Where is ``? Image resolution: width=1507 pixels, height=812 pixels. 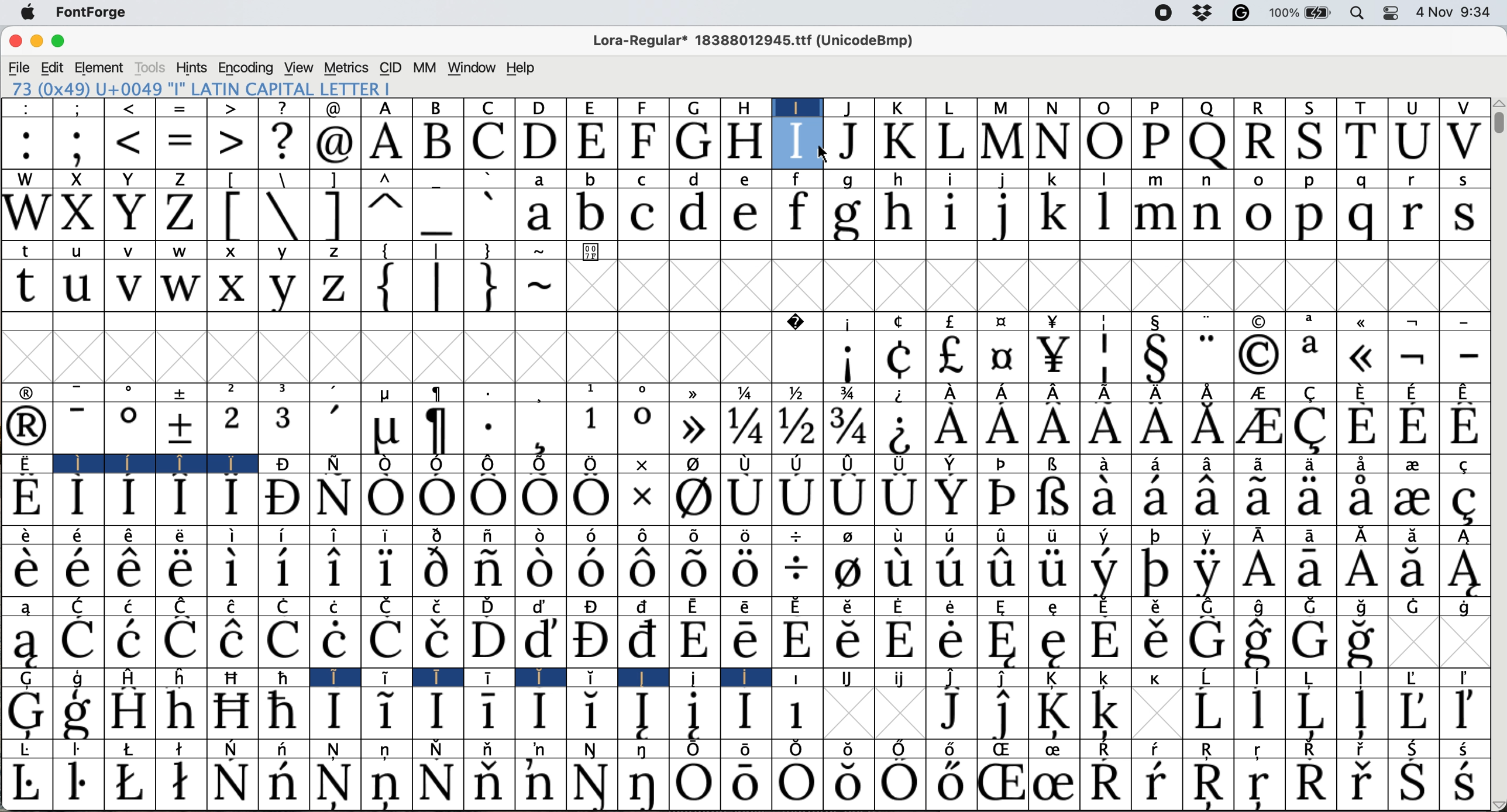  is located at coordinates (1498, 102).